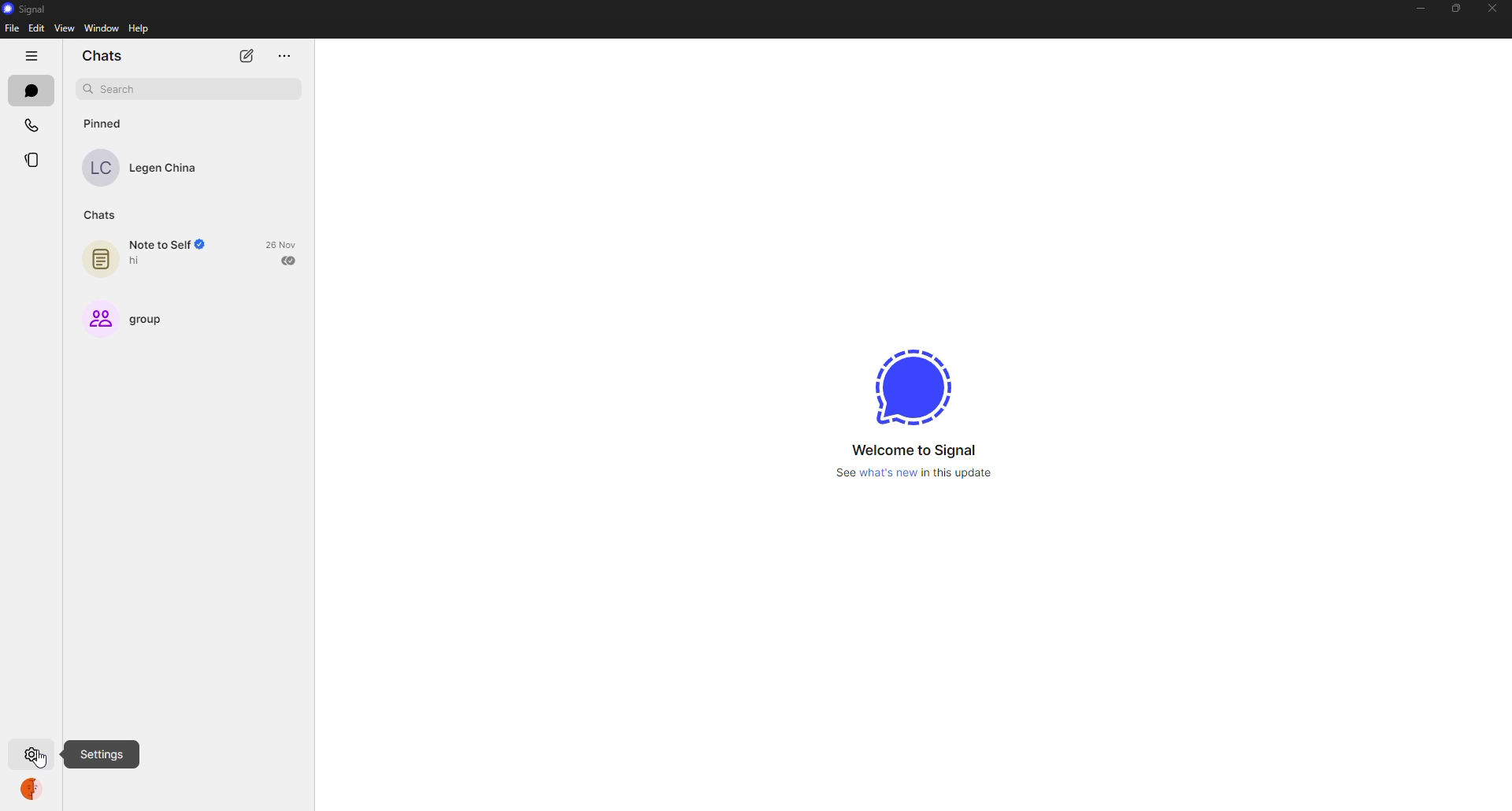  What do you see at coordinates (915, 472) in the screenshot?
I see `See what's new in this updates` at bounding box center [915, 472].